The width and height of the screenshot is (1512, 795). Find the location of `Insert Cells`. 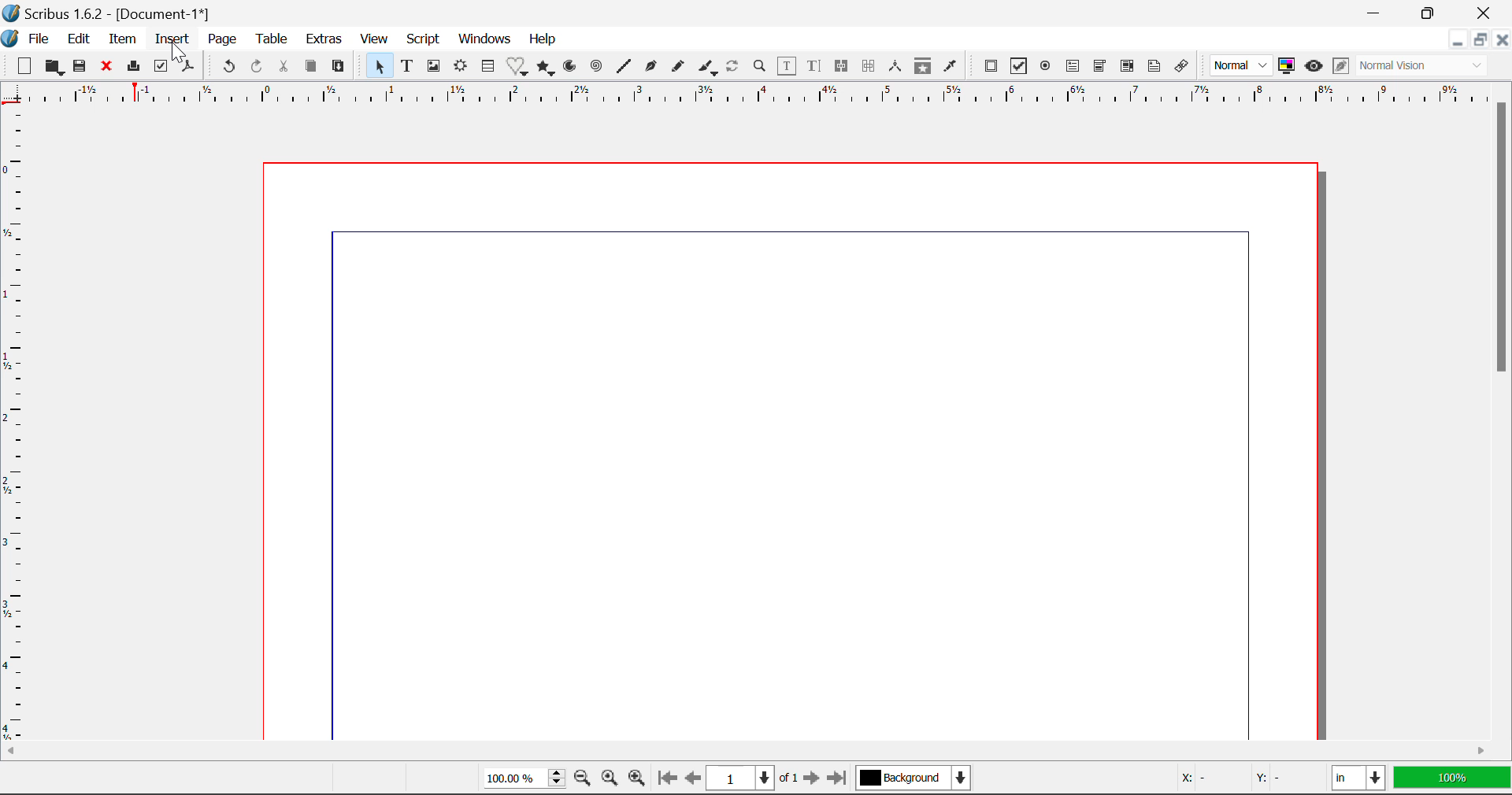

Insert Cells is located at coordinates (487, 68).